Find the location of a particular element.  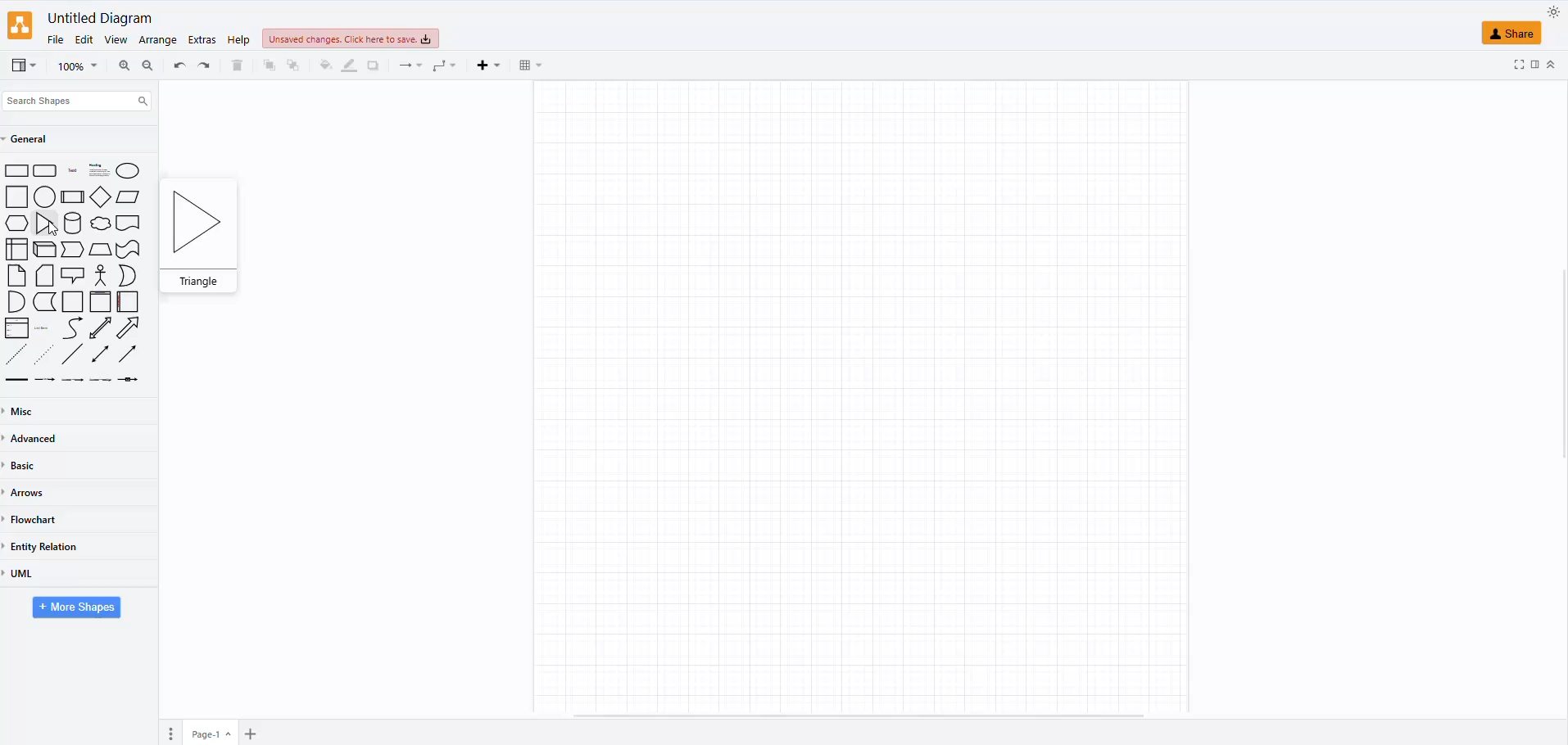

redo is located at coordinates (178, 65).